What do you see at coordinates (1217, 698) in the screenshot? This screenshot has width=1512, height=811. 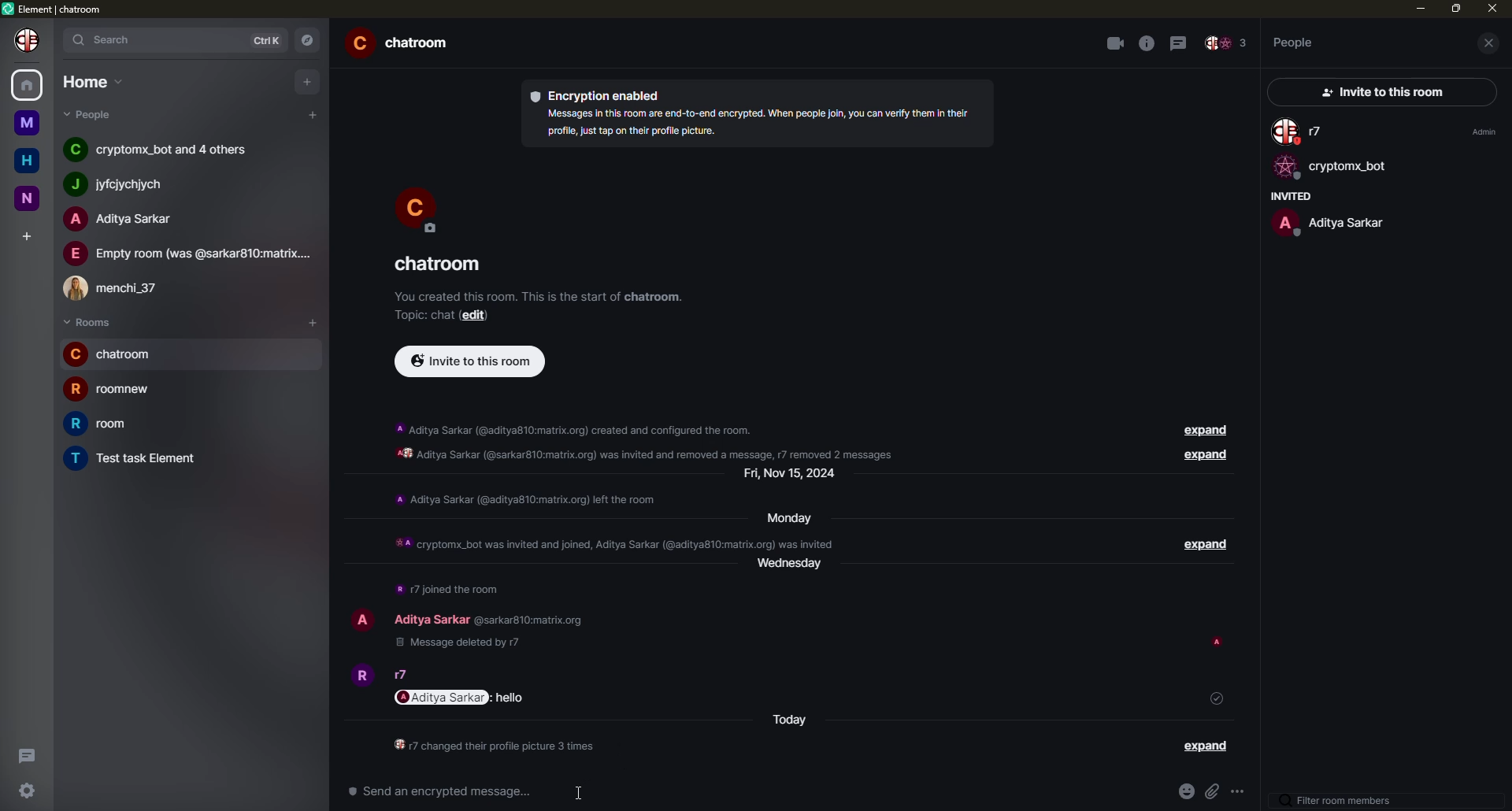 I see `sent` at bounding box center [1217, 698].